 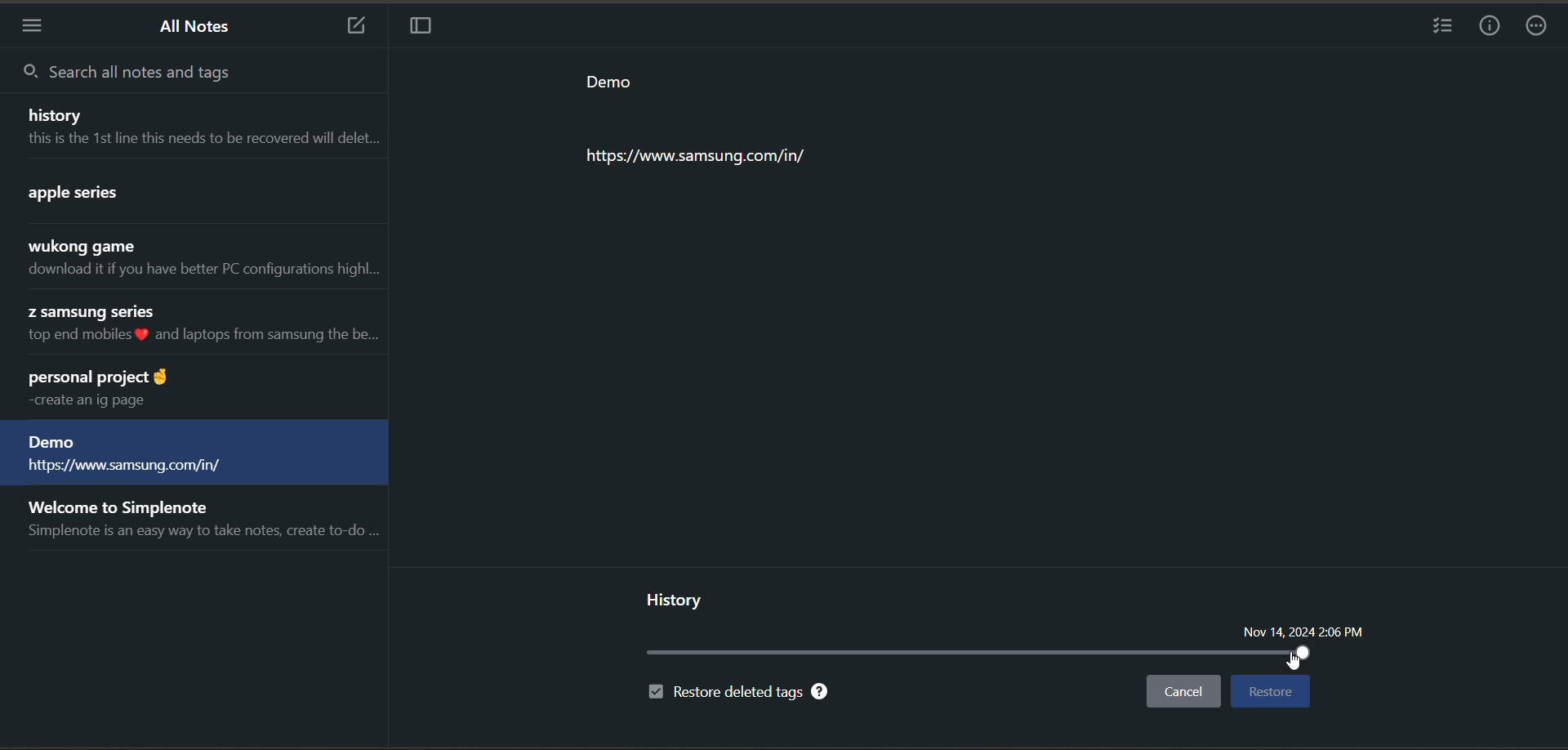 What do you see at coordinates (1445, 28) in the screenshot?
I see `insert checklist` at bounding box center [1445, 28].